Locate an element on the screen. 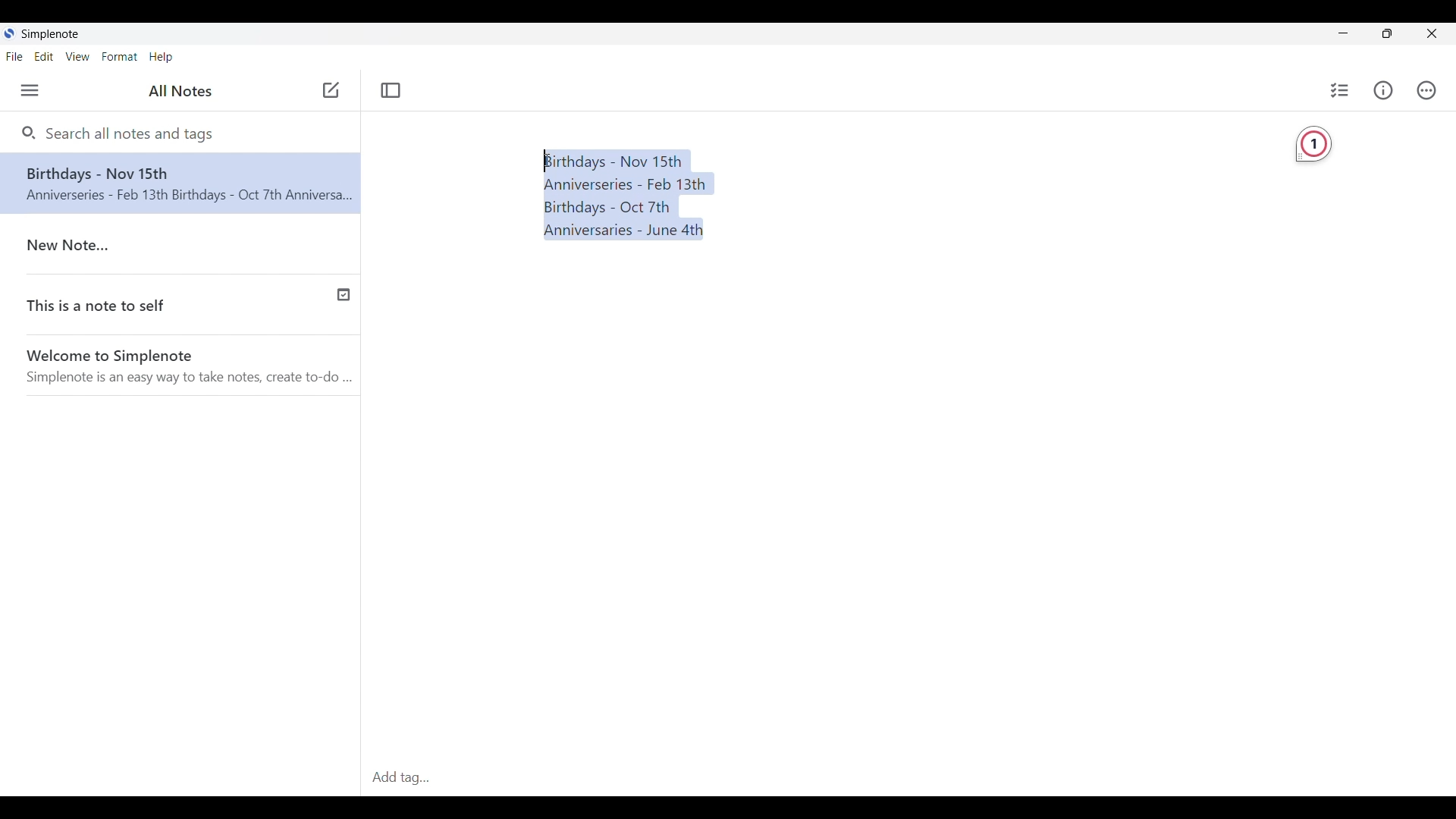 Image resolution: width=1456 pixels, height=819 pixels. New Note..(Older note) is located at coordinates (184, 248).